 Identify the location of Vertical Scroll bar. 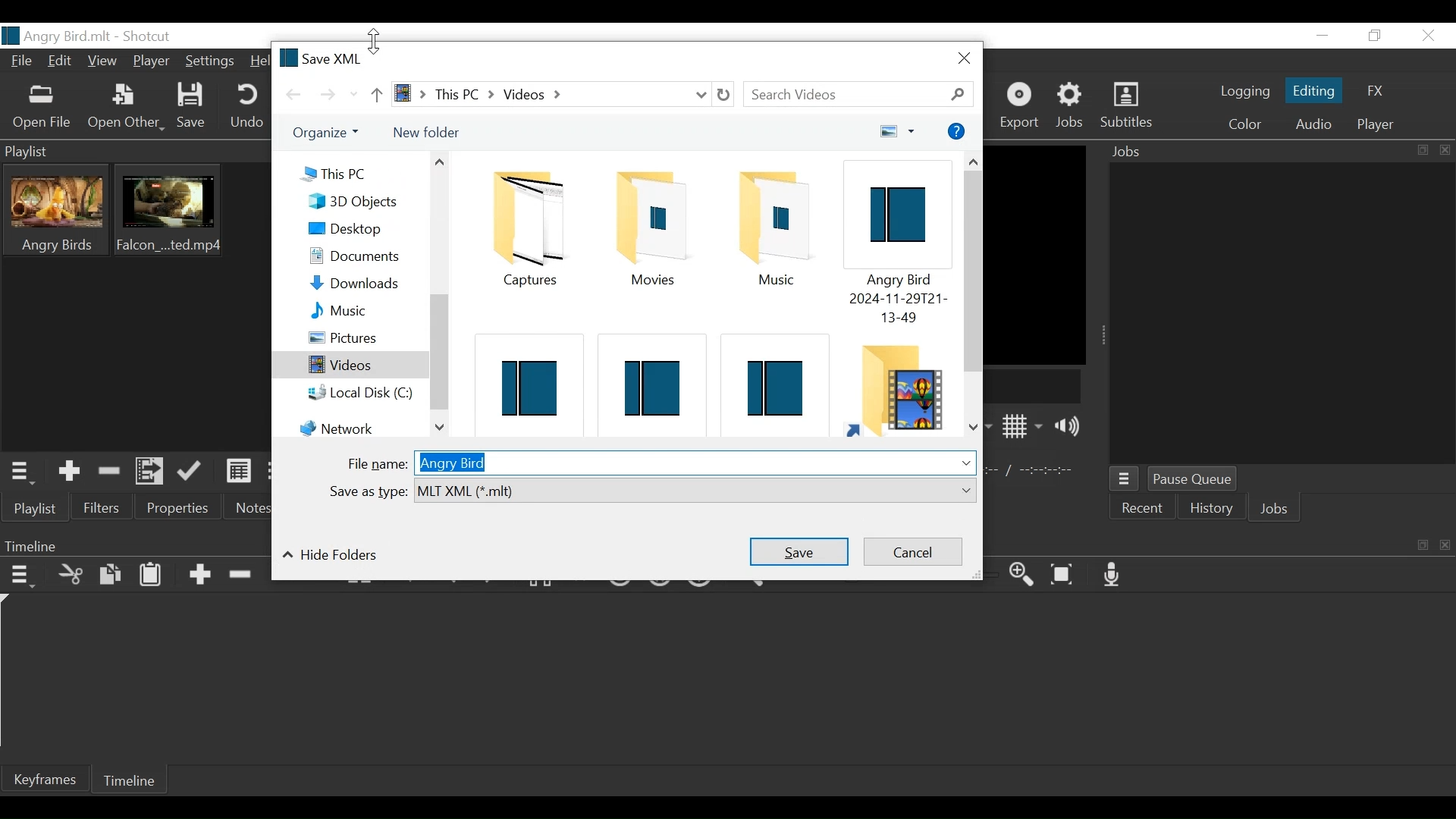
(438, 352).